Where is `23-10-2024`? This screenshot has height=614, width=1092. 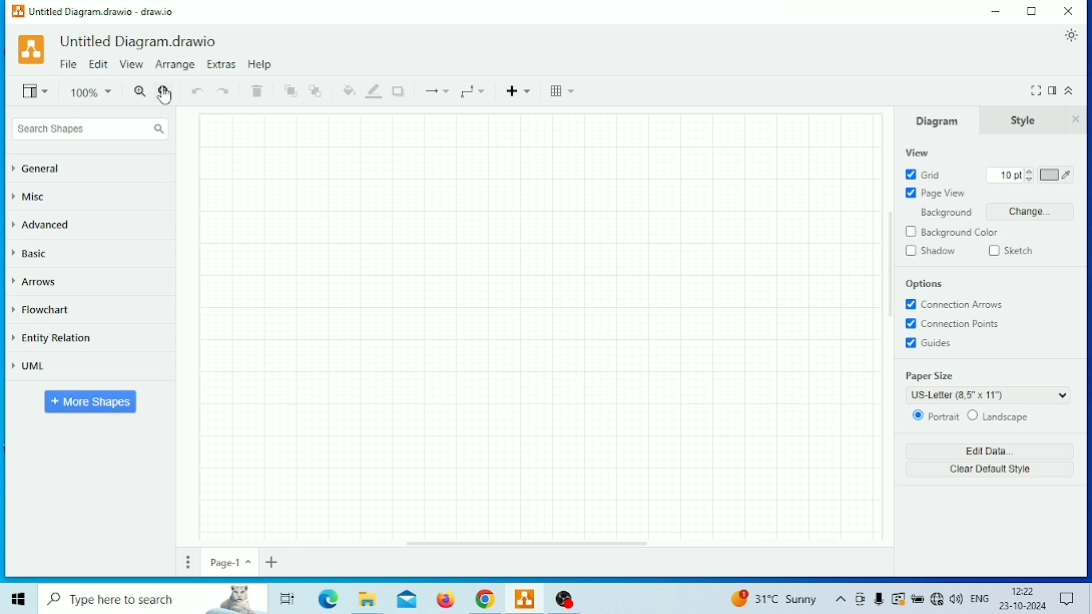 23-10-2024 is located at coordinates (1022, 606).